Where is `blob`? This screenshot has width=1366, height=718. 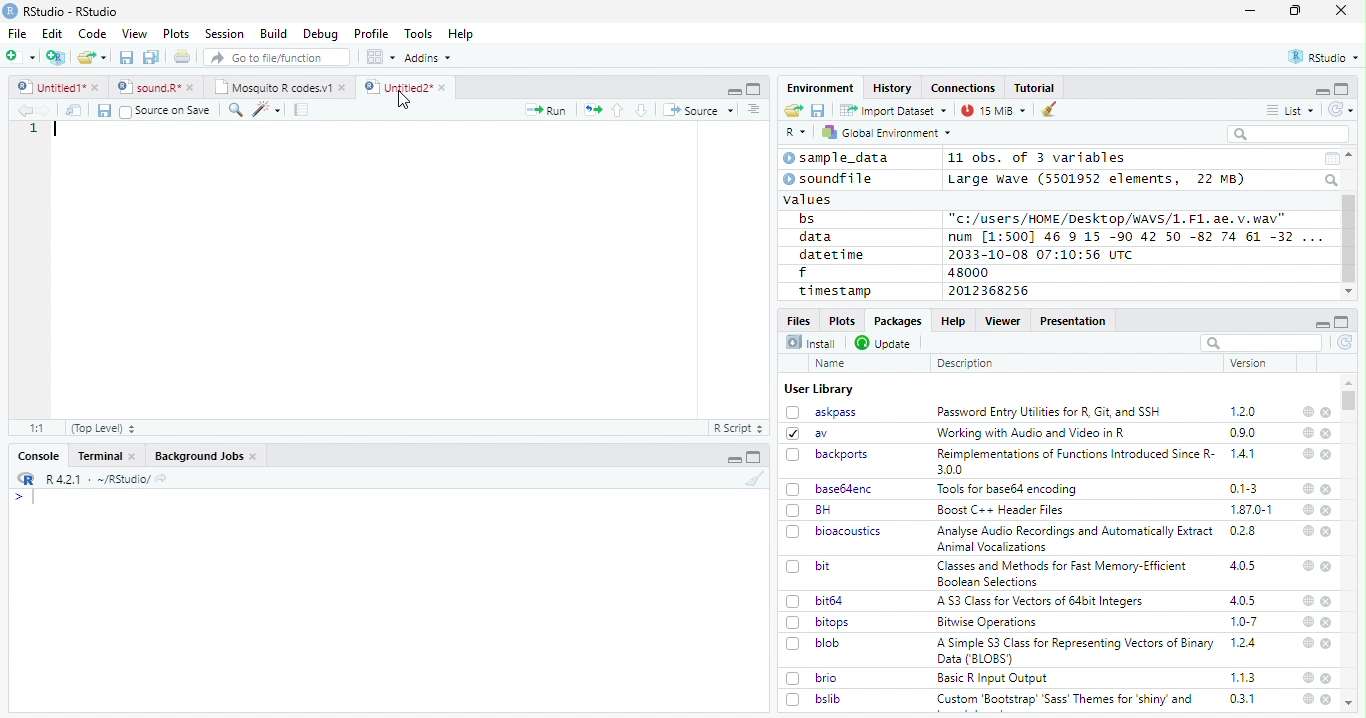
blob is located at coordinates (813, 643).